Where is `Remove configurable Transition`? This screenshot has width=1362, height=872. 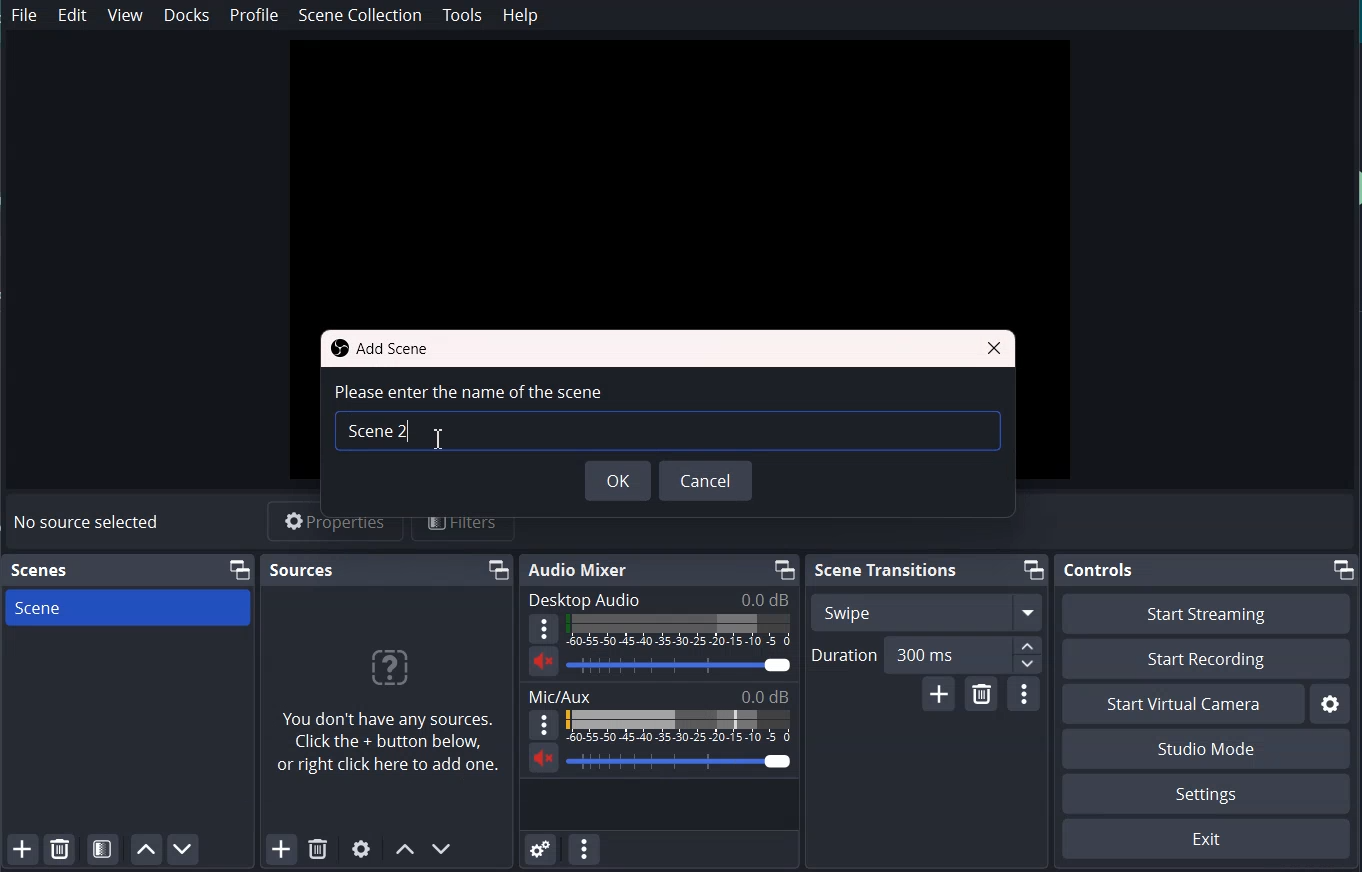 Remove configurable Transition is located at coordinates (981, 694).